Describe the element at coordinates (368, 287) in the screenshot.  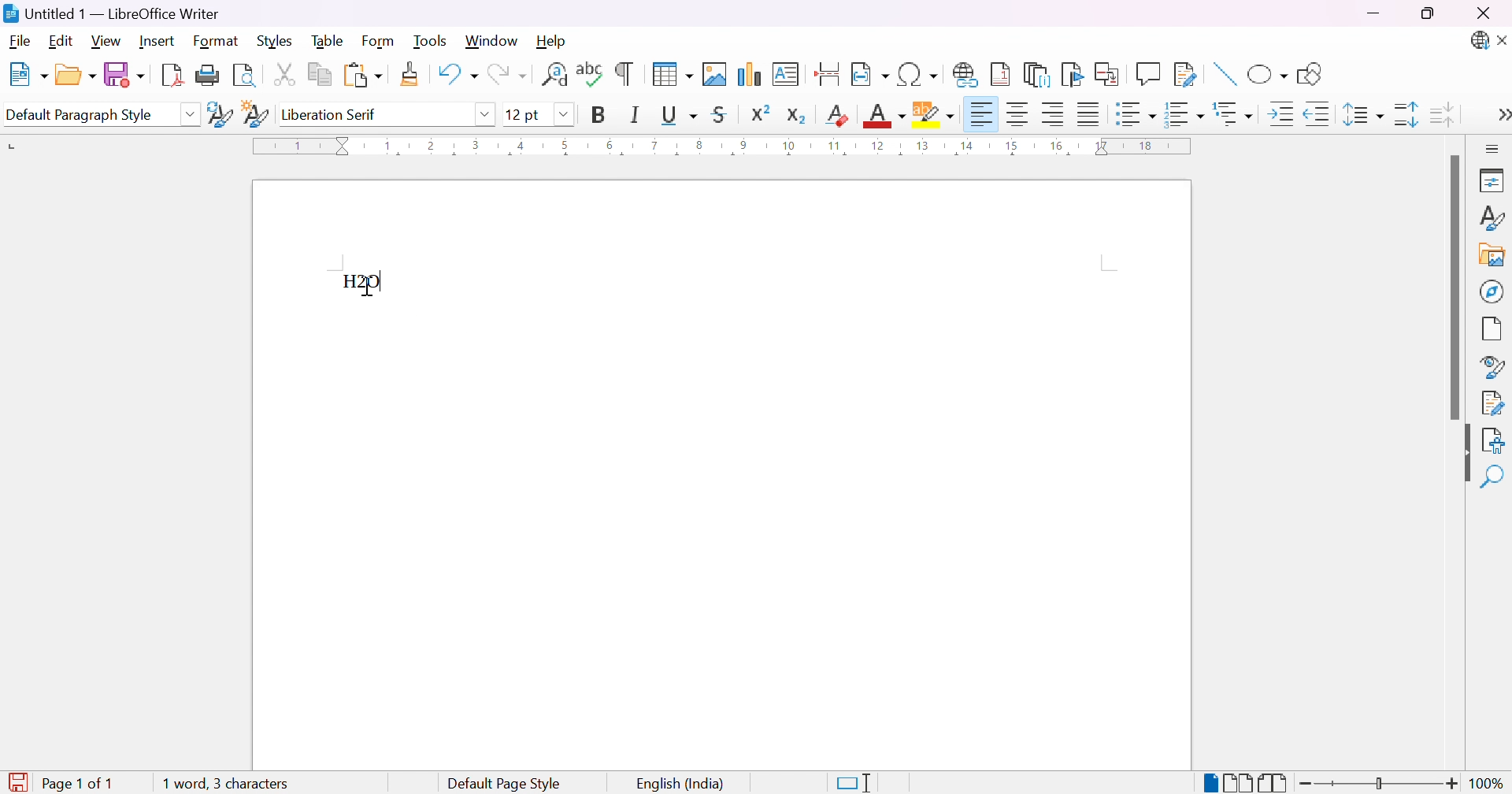
I see `cursor` at that location.